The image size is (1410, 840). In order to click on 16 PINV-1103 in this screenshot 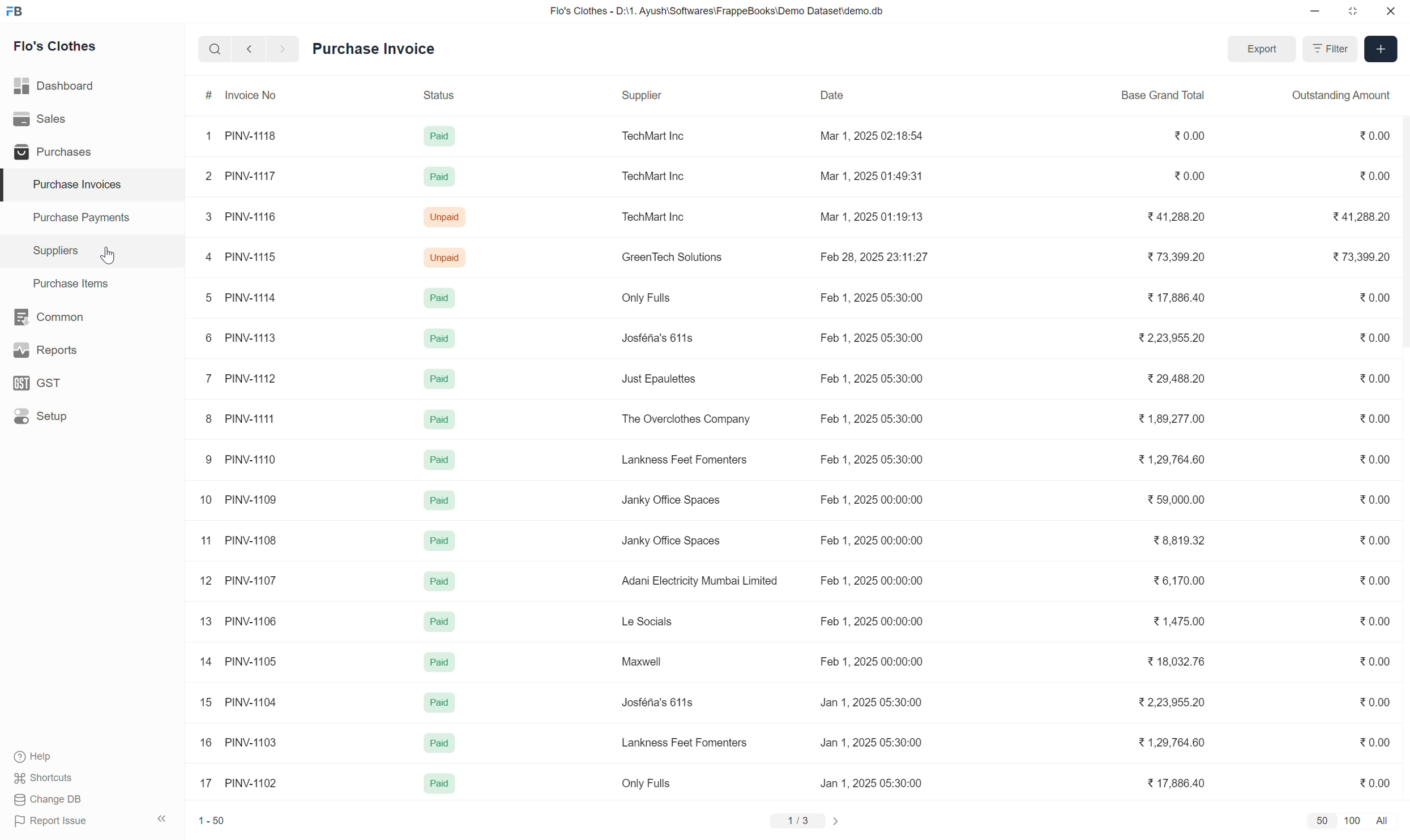, I will do `click(240, 740)`.